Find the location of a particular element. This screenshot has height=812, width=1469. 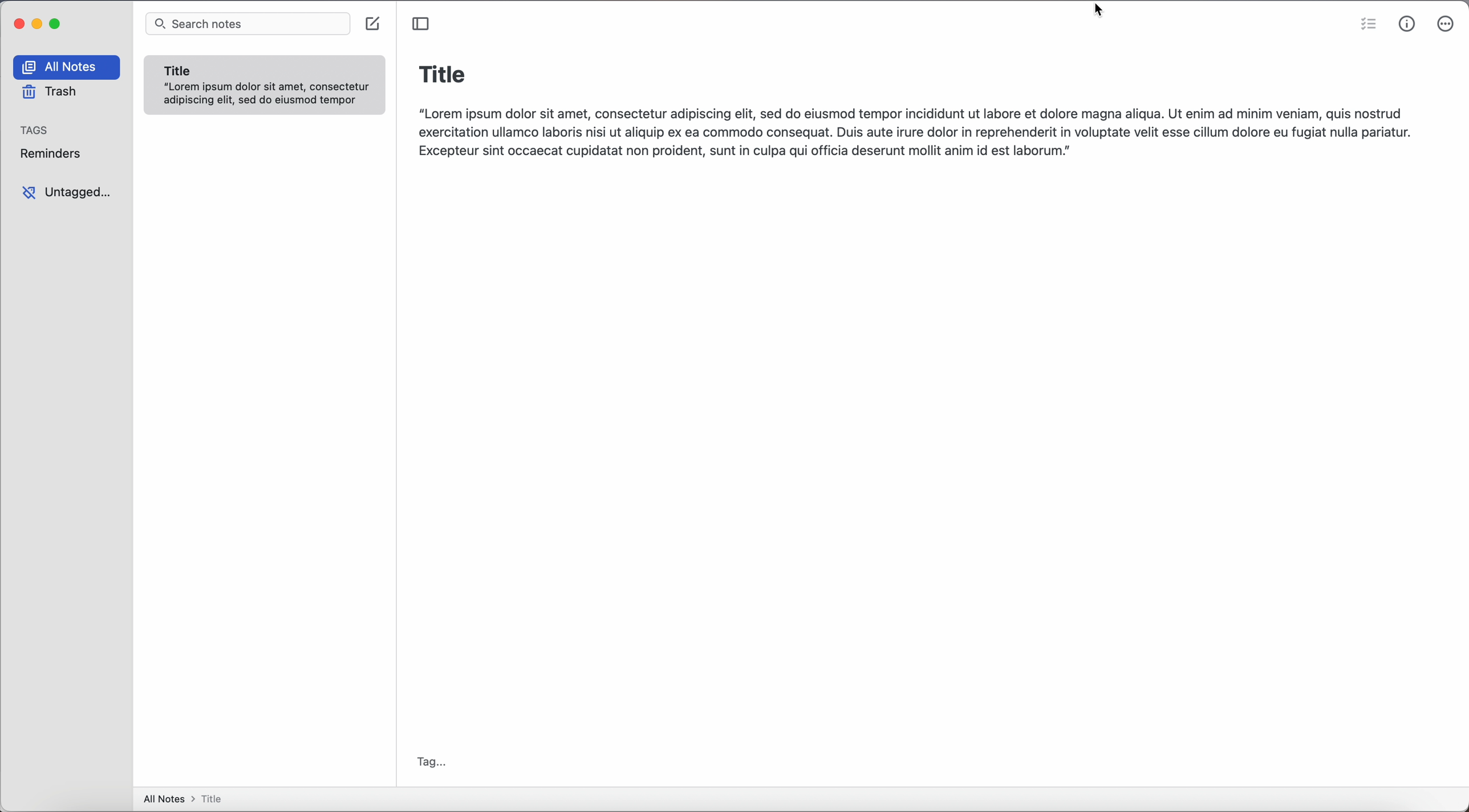

all notes is located at coordinates (188, 800).